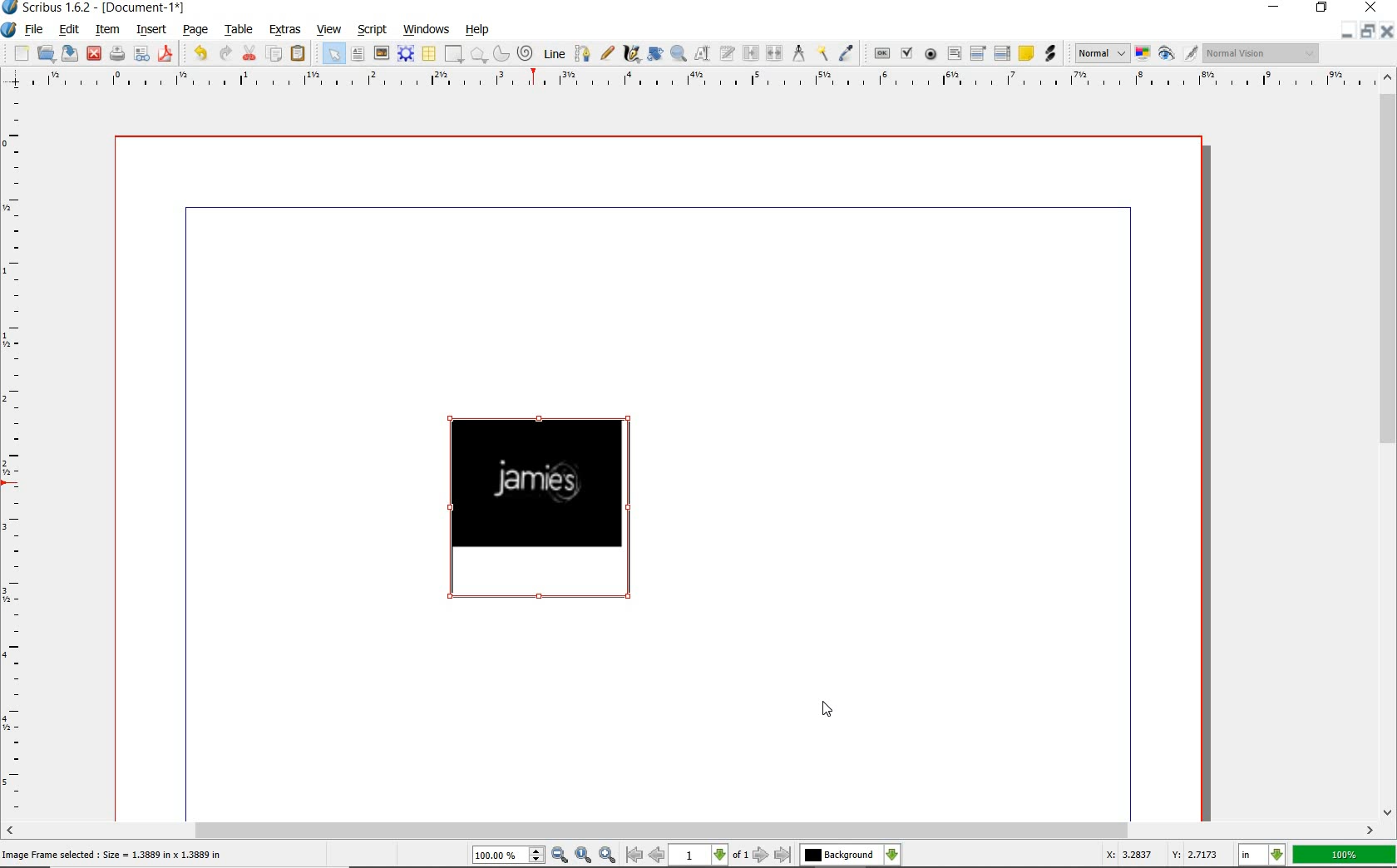  I want to click on save, so click(117, 52).